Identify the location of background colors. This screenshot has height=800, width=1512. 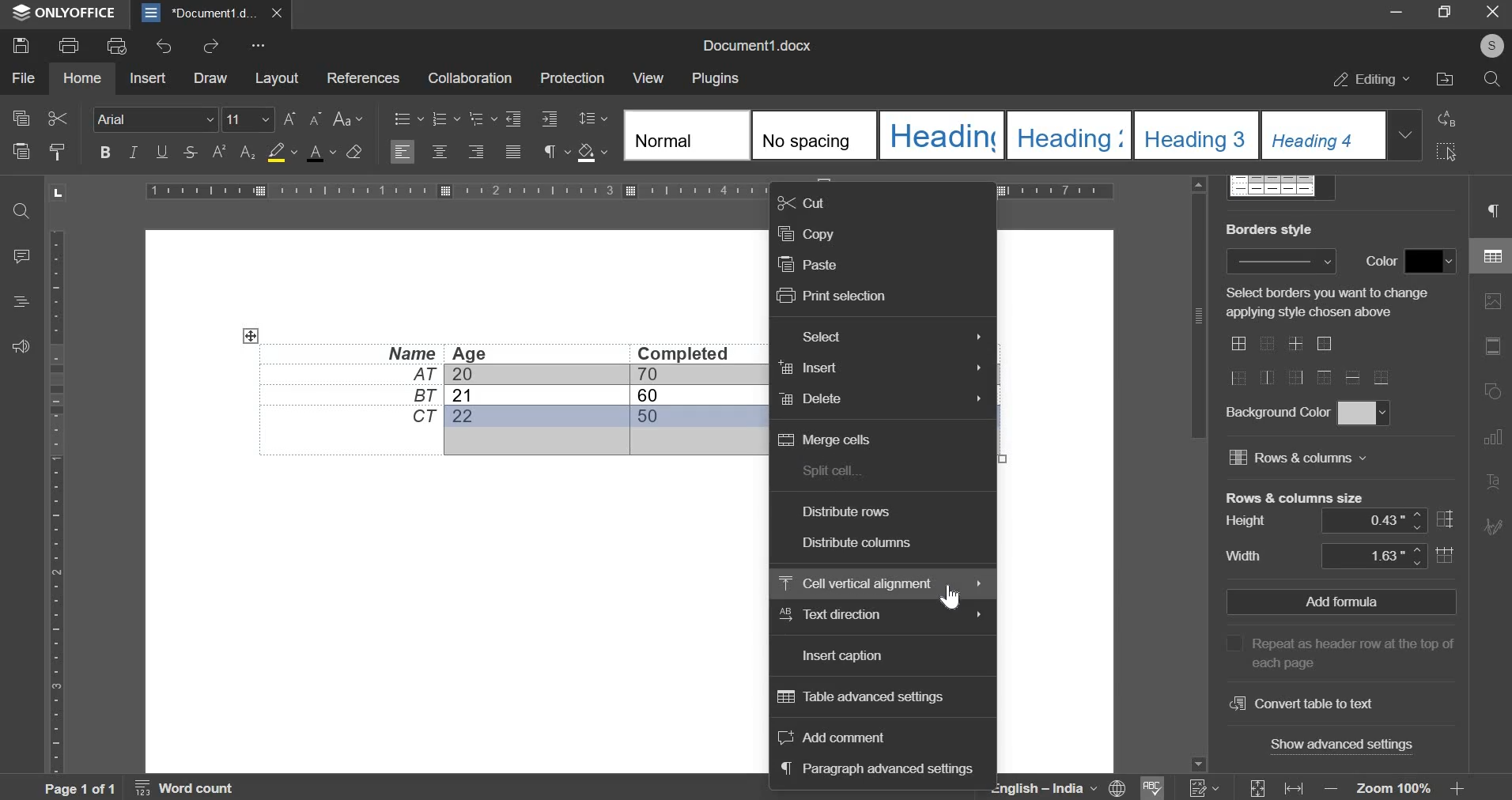
(1365, 413).